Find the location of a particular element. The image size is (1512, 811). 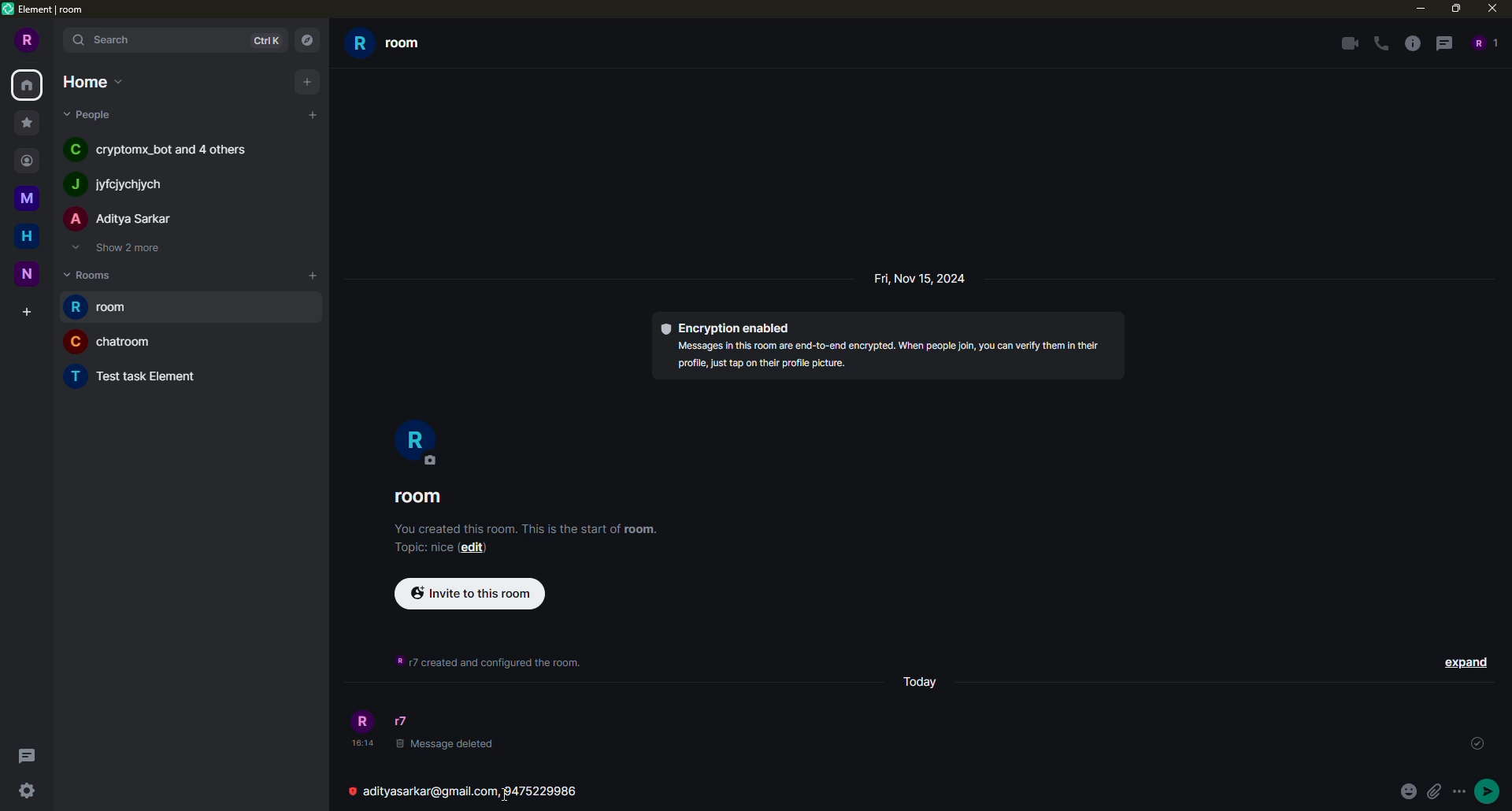

encryption enabled is located at coordinates (729, 325).